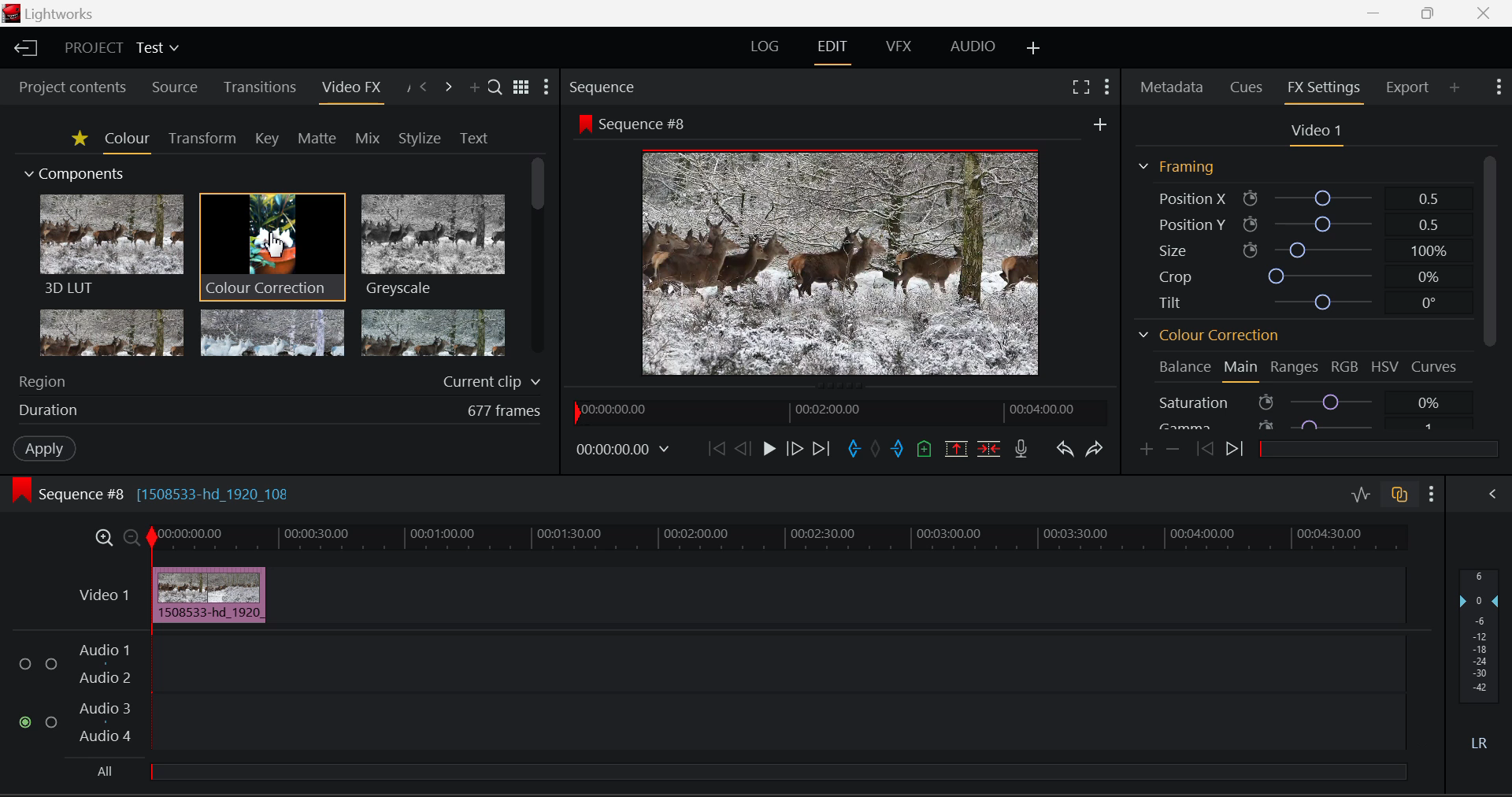 This screenshot has height=797, width=1512. What do you see at coordinates (421, 138) in the screenshot?
I see `Stylize` at bounding box center [421, 138].